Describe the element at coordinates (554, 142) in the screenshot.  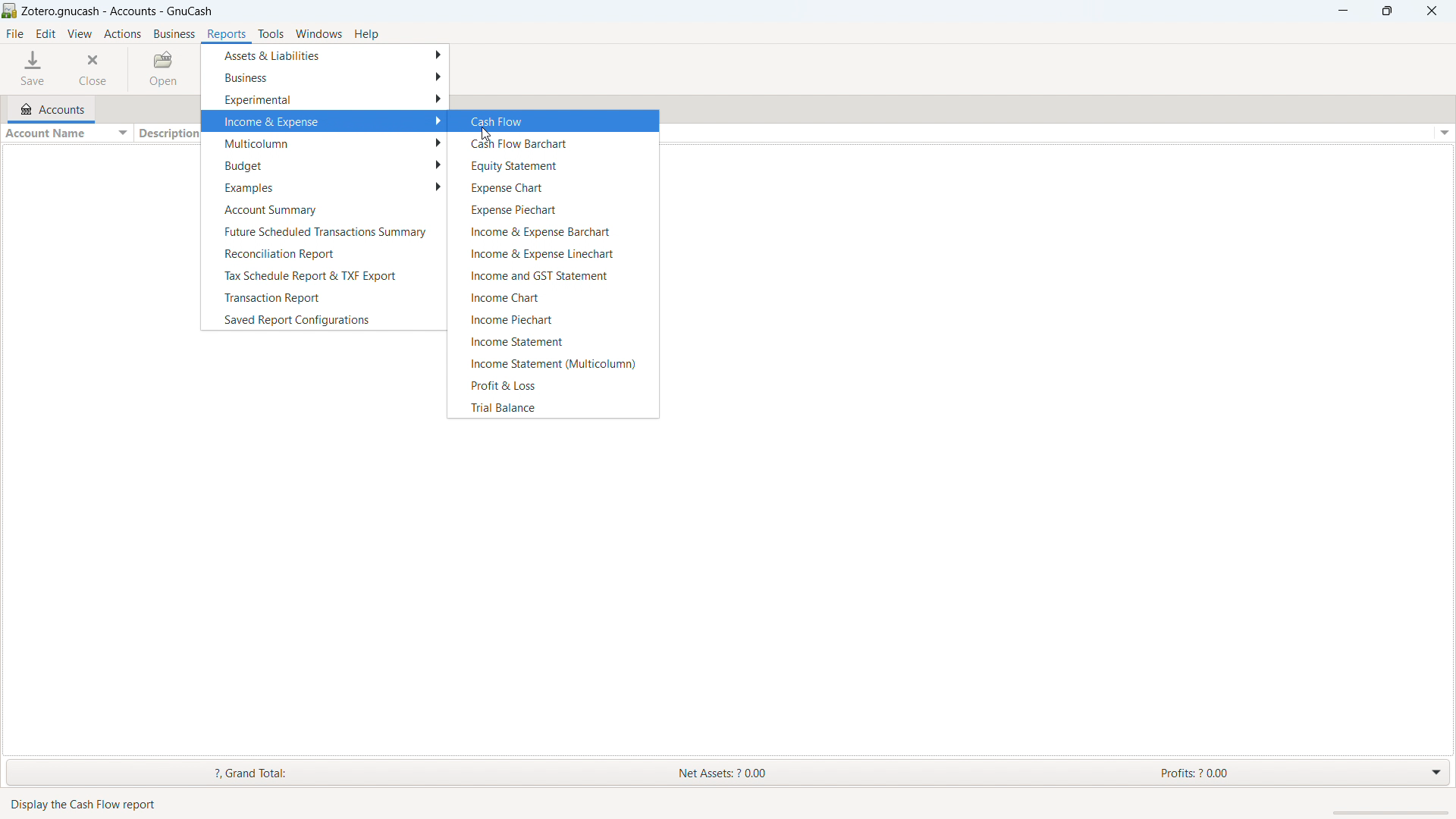
I see `cash flow barchart` at that location.